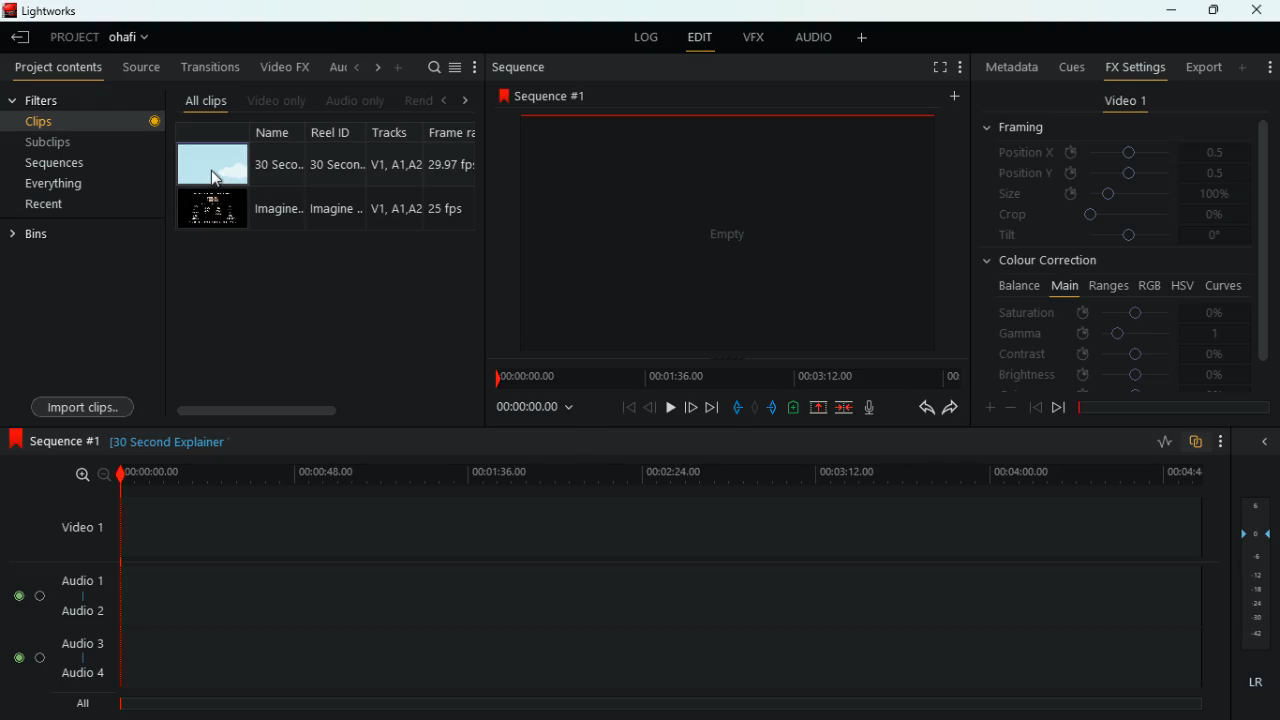 The width and height of the screenshot is (1280, 720). I want to click on sequence, so click(51, 439).